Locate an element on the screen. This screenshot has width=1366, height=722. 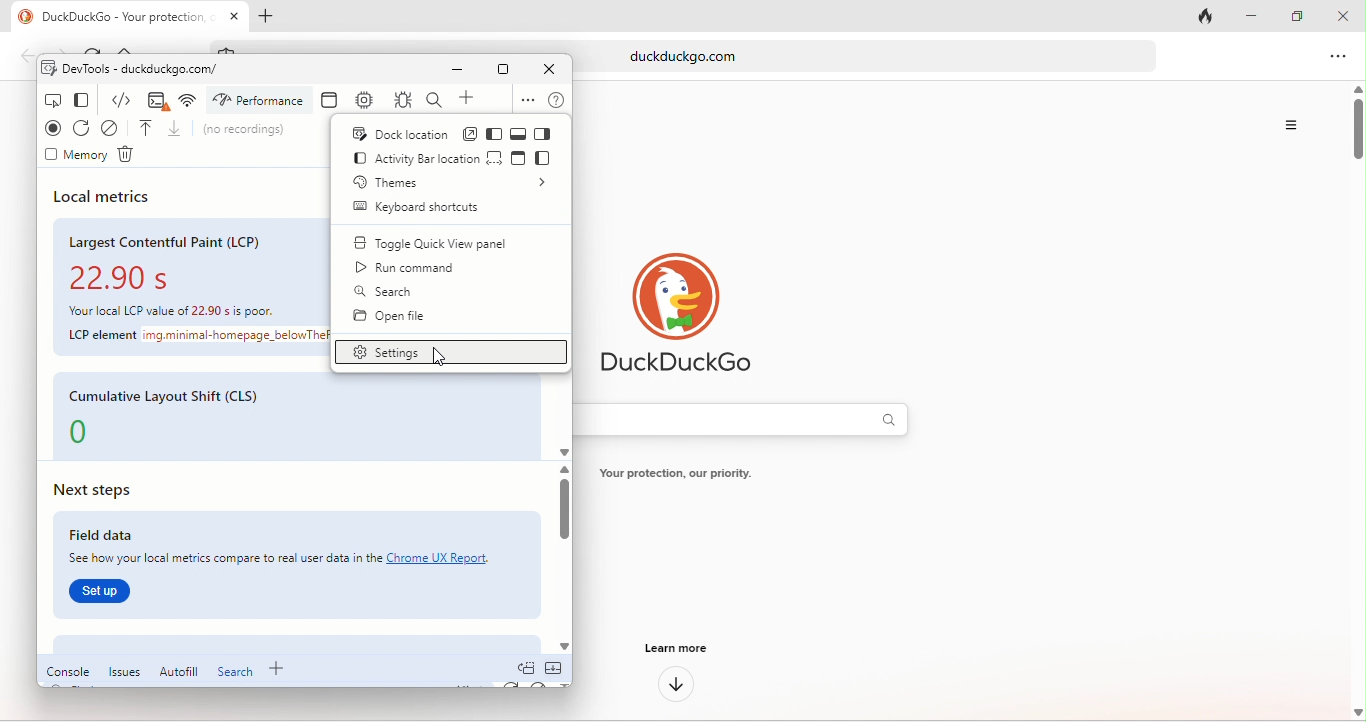
text is located at coordinates (676, 473).